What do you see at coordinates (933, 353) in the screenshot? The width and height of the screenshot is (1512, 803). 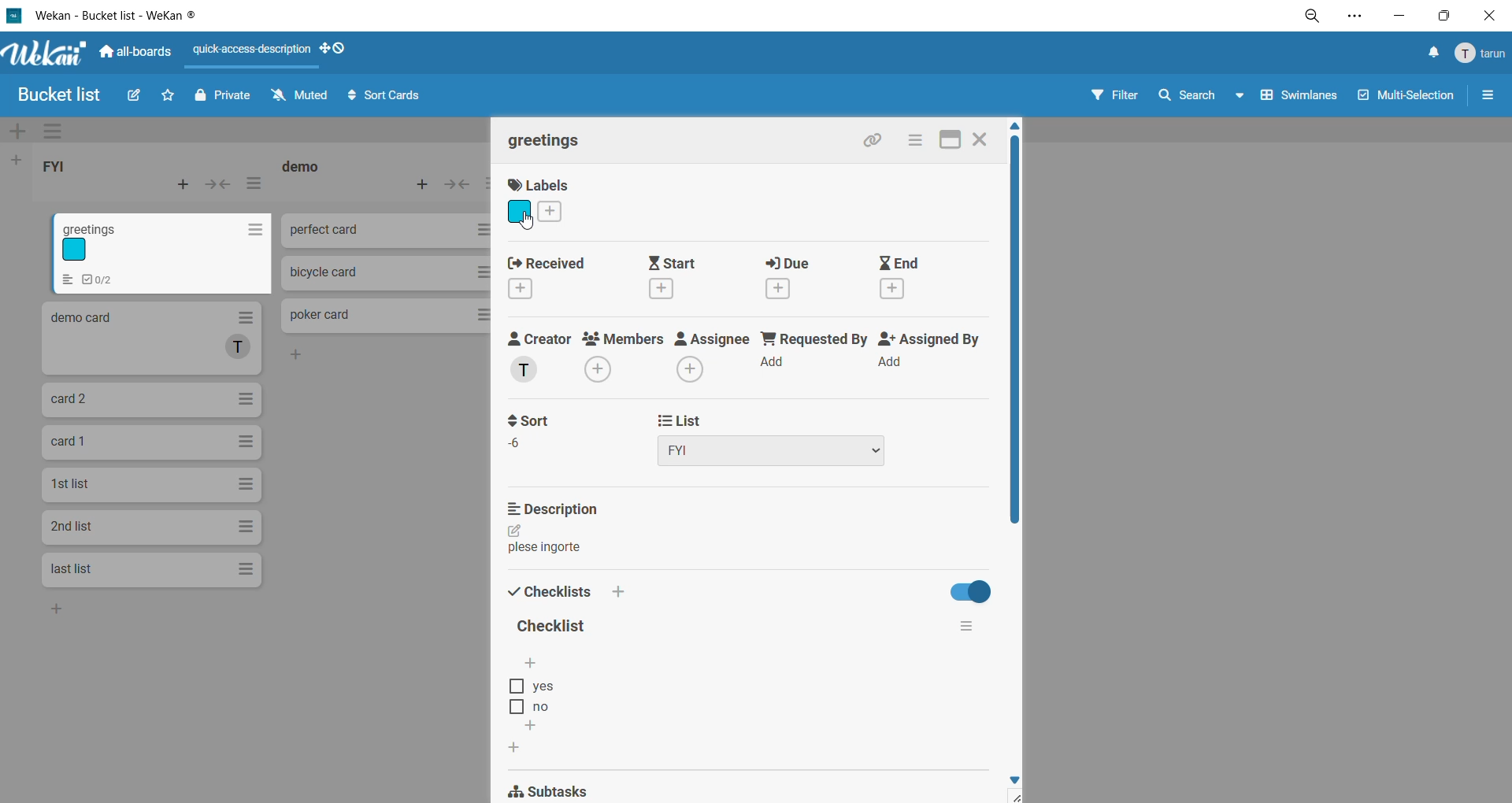 I see `assigned by` at bounding box center [933, 353].